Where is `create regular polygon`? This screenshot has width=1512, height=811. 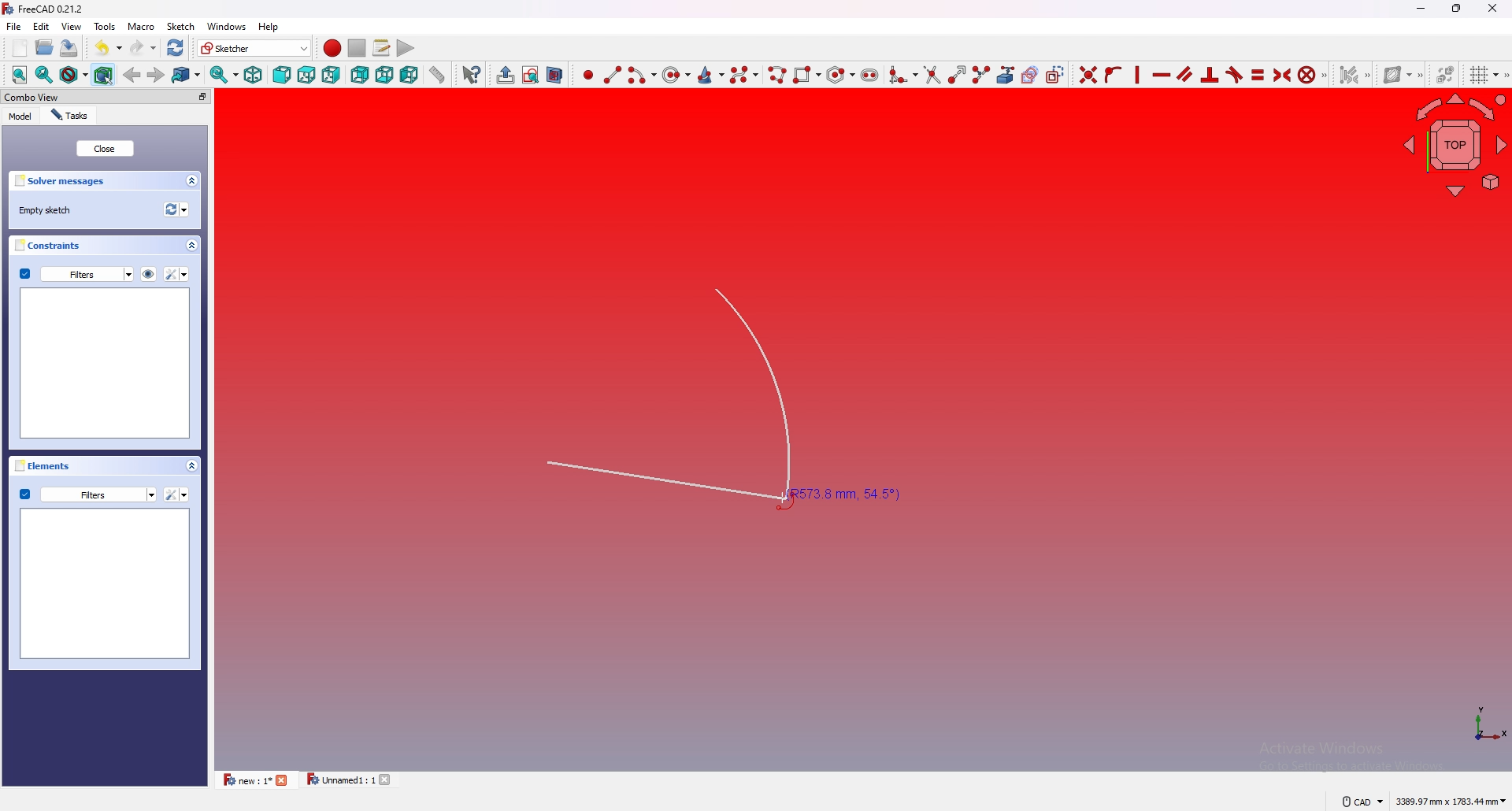 create regular polygon is located at coordinates (840, 75).